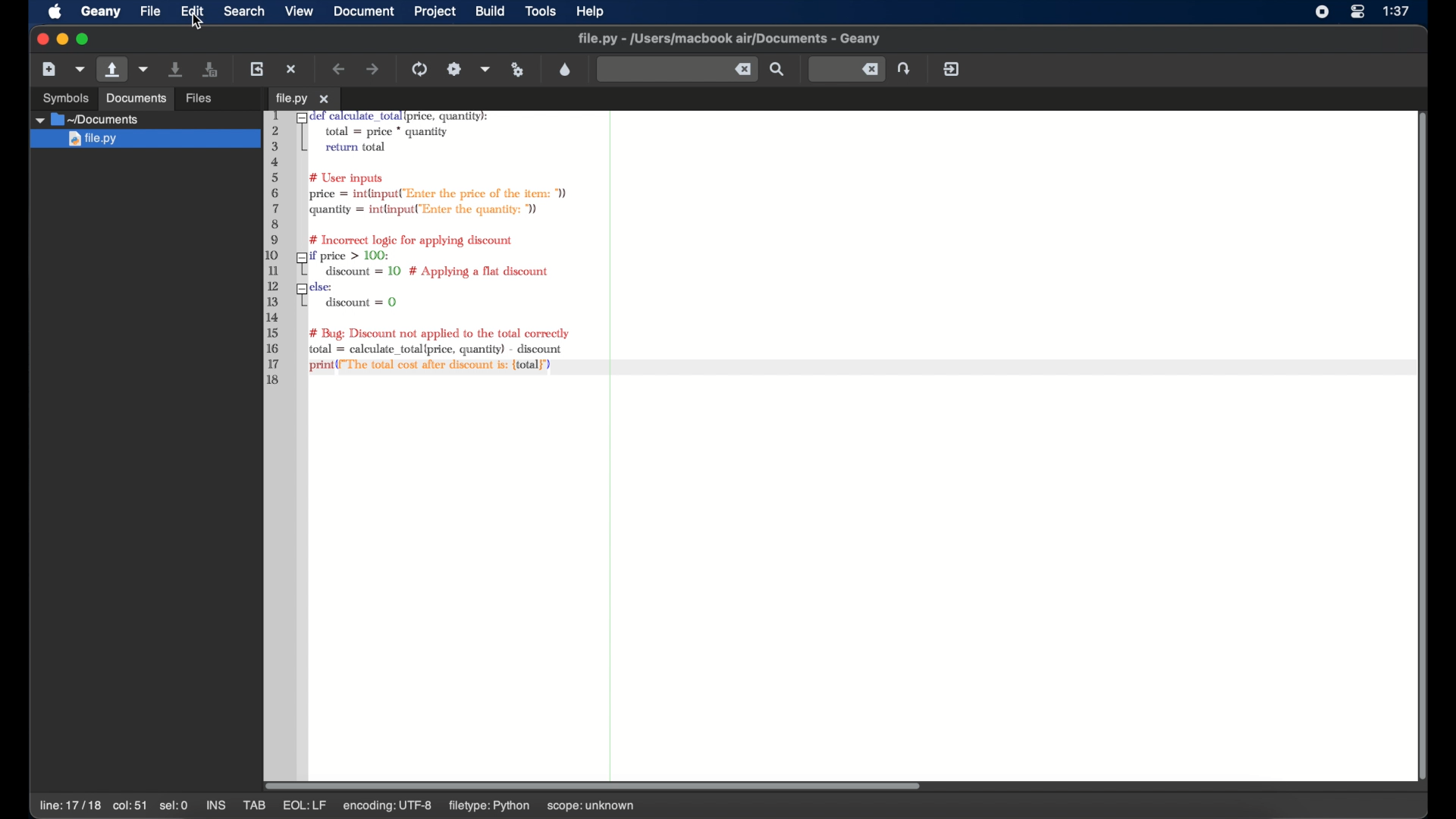 This screenshot has width=1456, height=819. What do you see at coordinates (565, 69) in the screenshot?
I see `color chooser dialog` at bounding box center [565, 69].